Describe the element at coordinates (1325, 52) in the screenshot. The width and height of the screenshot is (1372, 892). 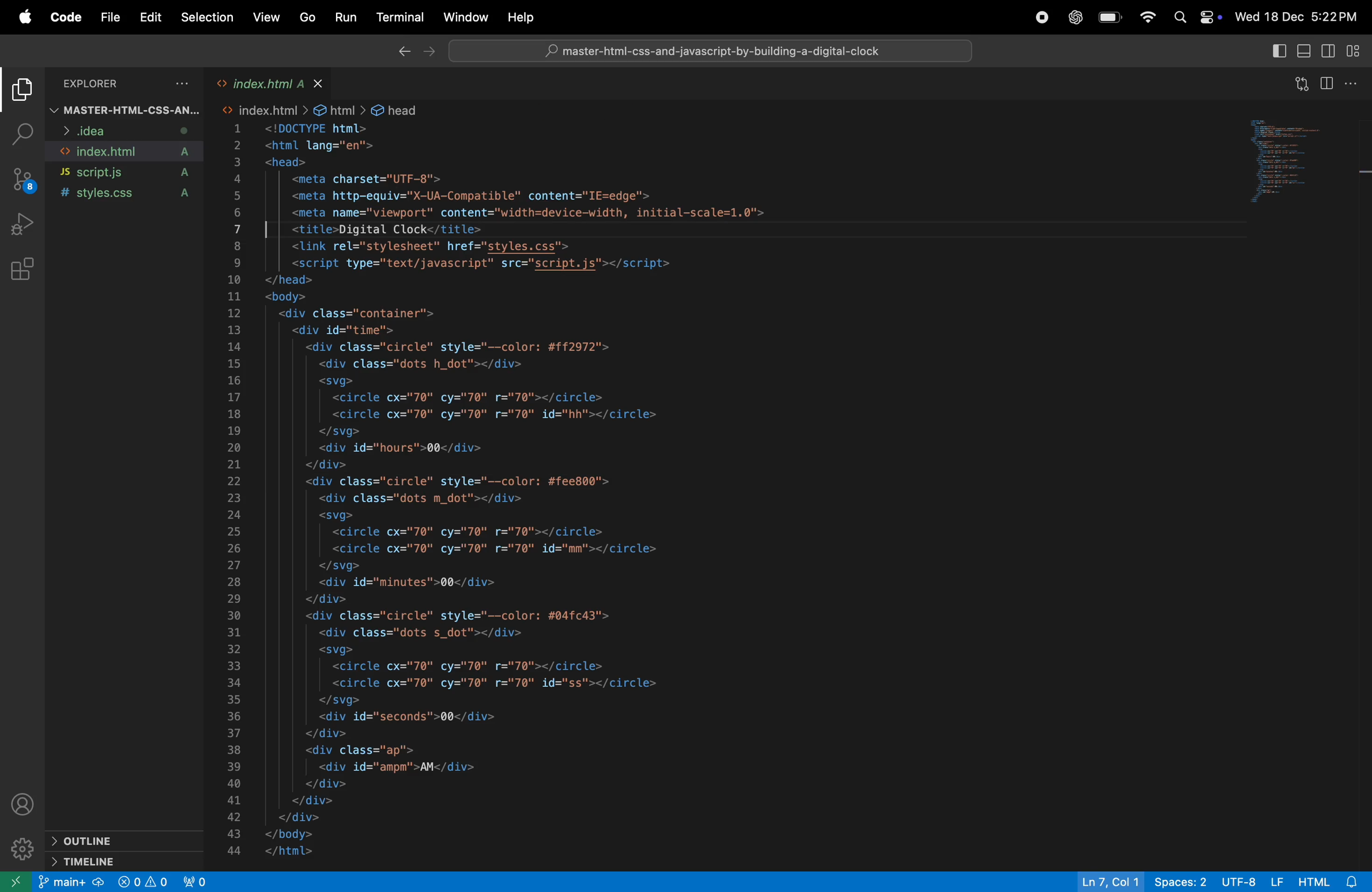
I see `toggle editor` at that location.